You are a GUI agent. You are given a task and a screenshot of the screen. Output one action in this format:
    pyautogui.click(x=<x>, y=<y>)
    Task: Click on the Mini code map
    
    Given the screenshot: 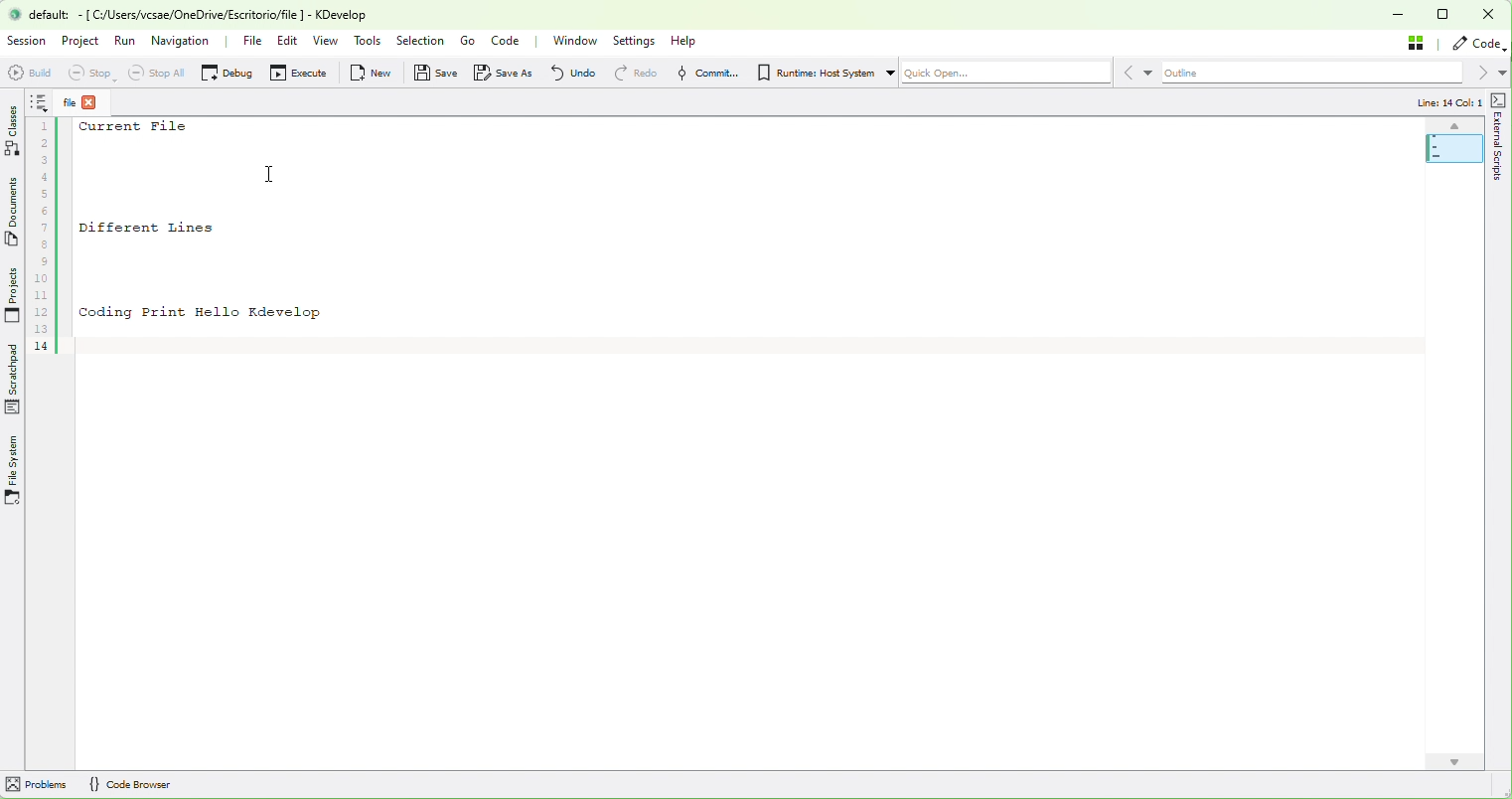 What is the action you would take?
    pyautogui.click(x=1455, y=172)
    